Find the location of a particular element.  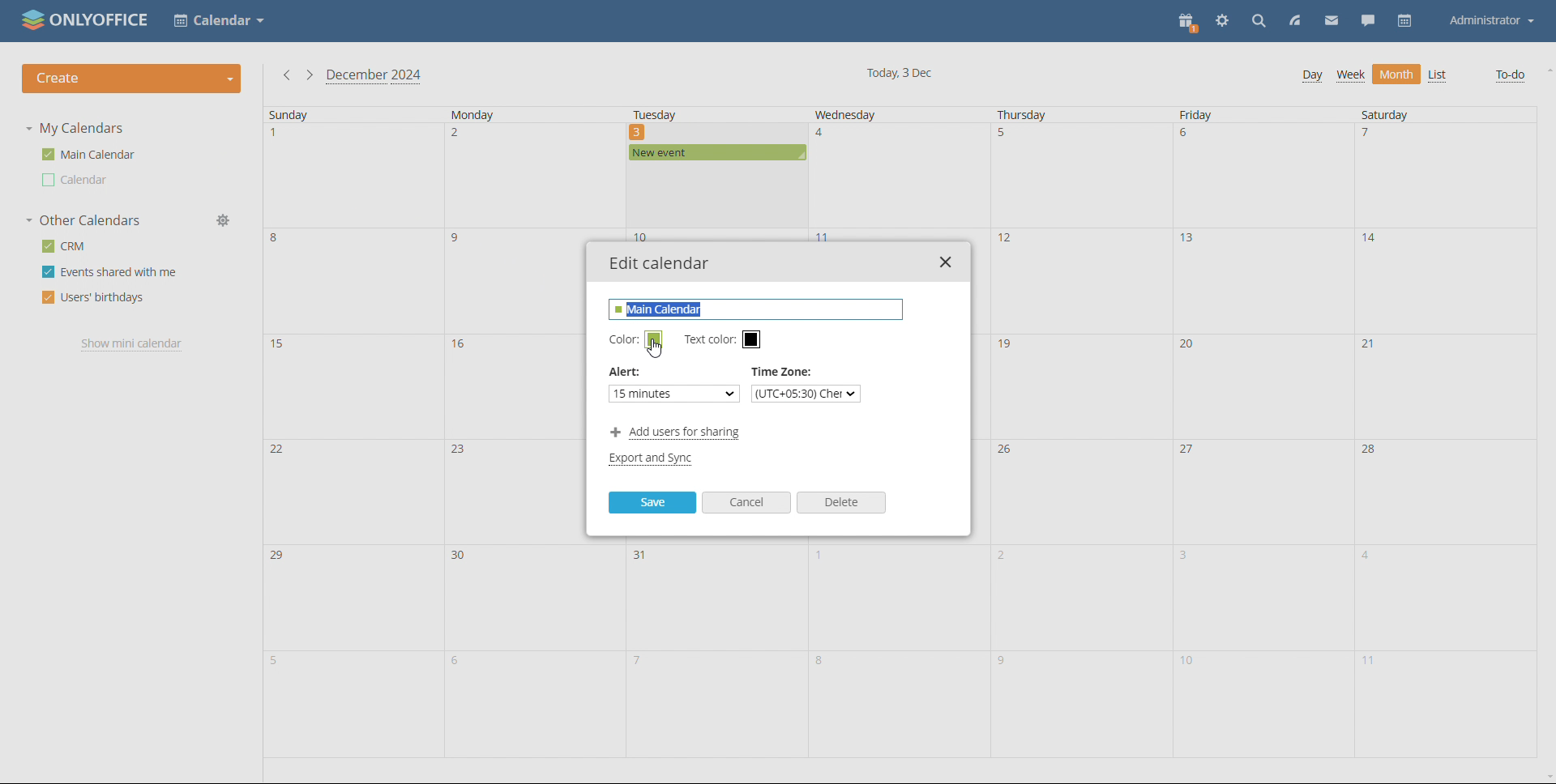

friday is located at coordinates (1220, 115).